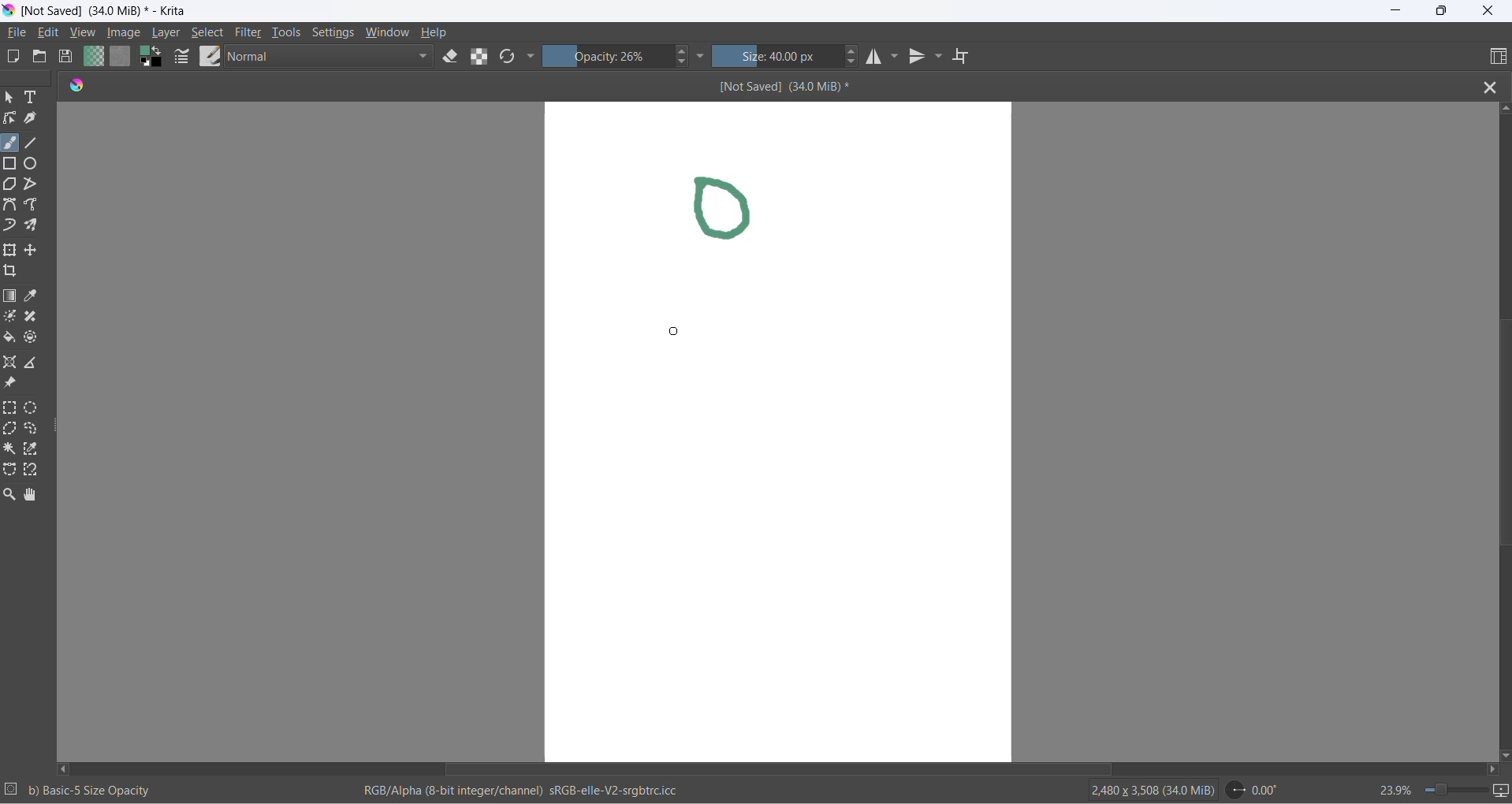  Describe the element at coordinates (609, 56) in the screenshot. I see `opacity percentange` at that location.